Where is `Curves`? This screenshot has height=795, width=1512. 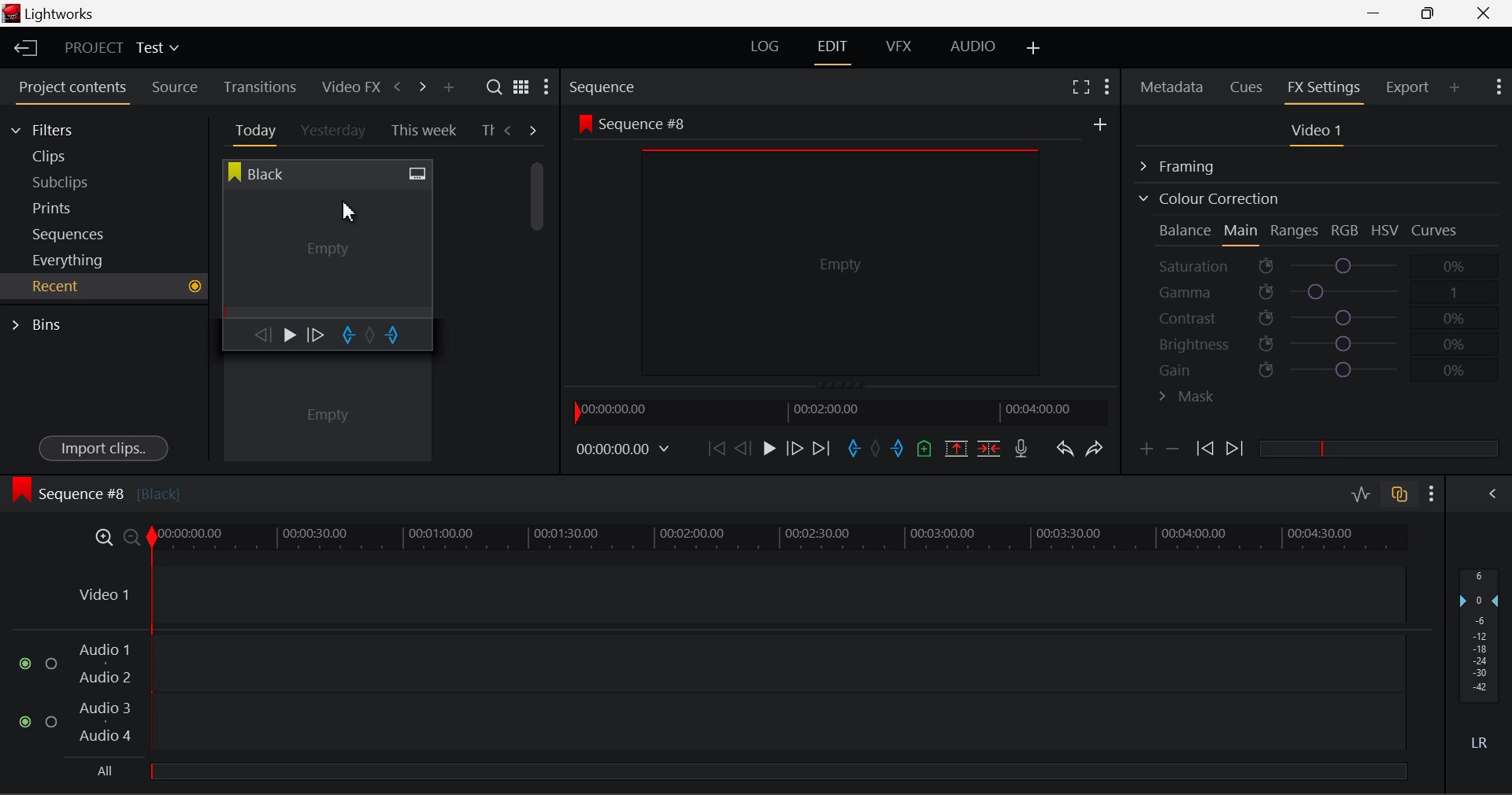
Curves is located at coordinates (1436, 230).